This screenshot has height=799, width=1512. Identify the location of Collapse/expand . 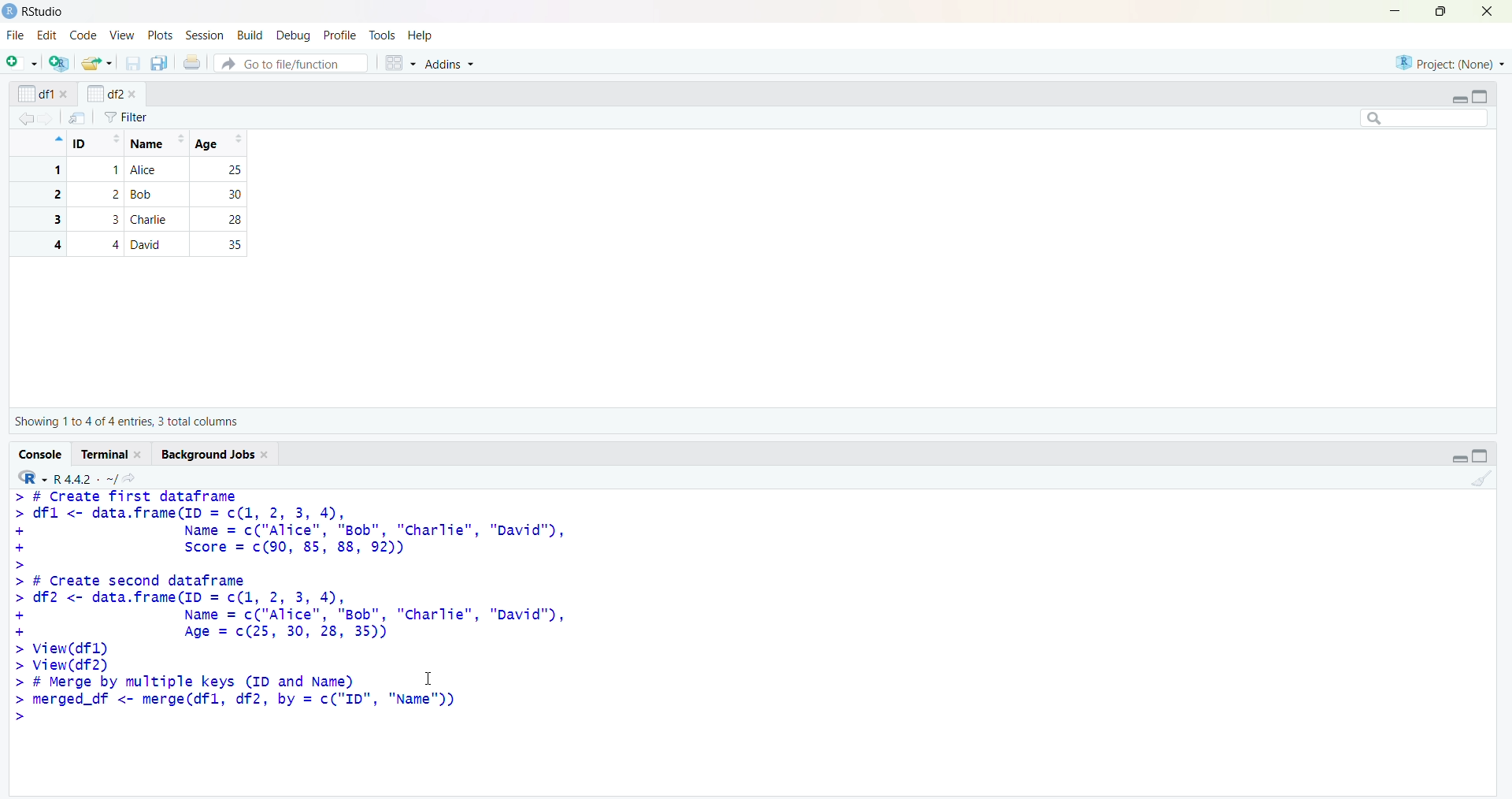
(1459, 459).